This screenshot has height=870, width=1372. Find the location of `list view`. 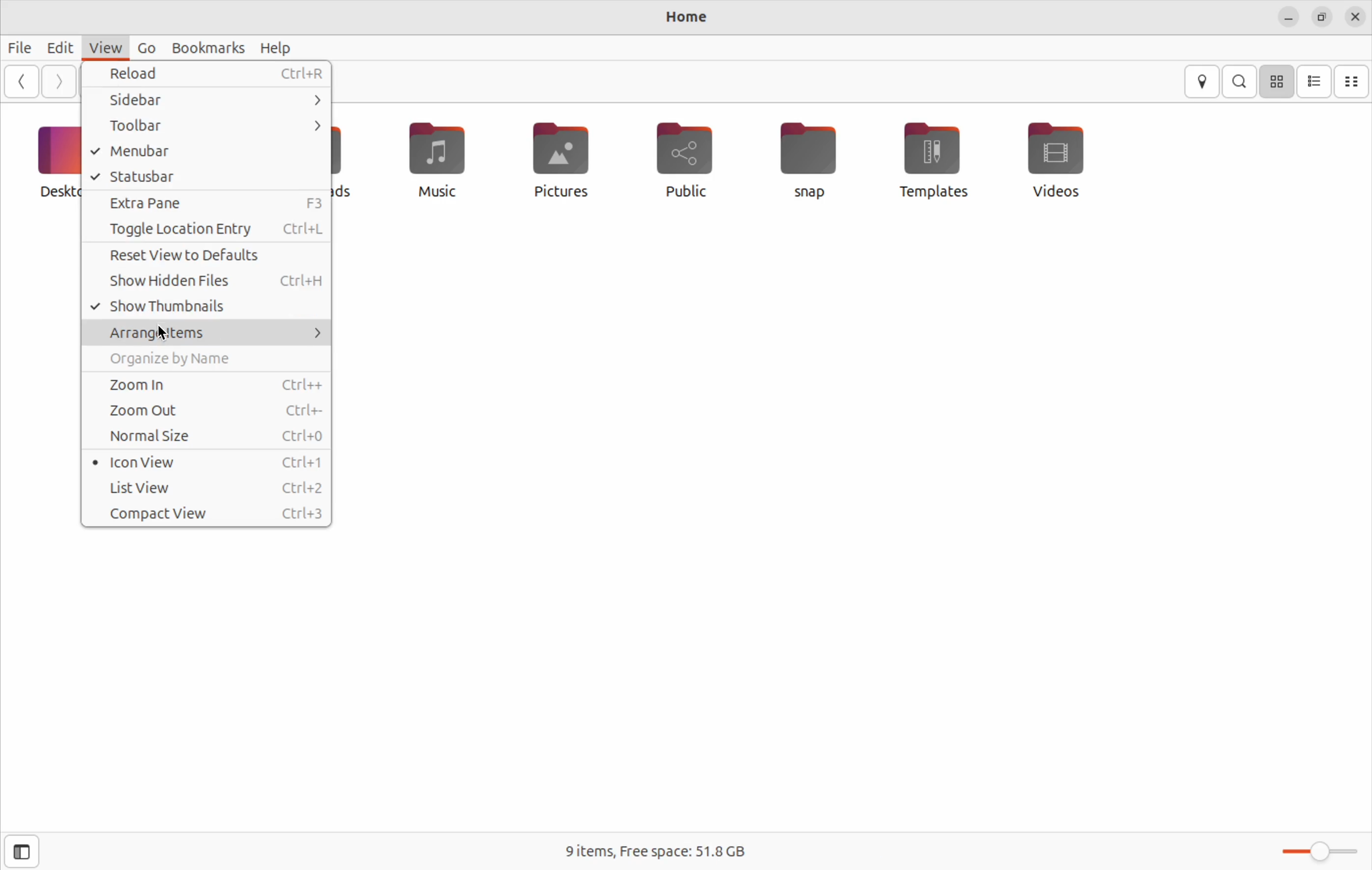

list view is located at coordinates (205, 488).